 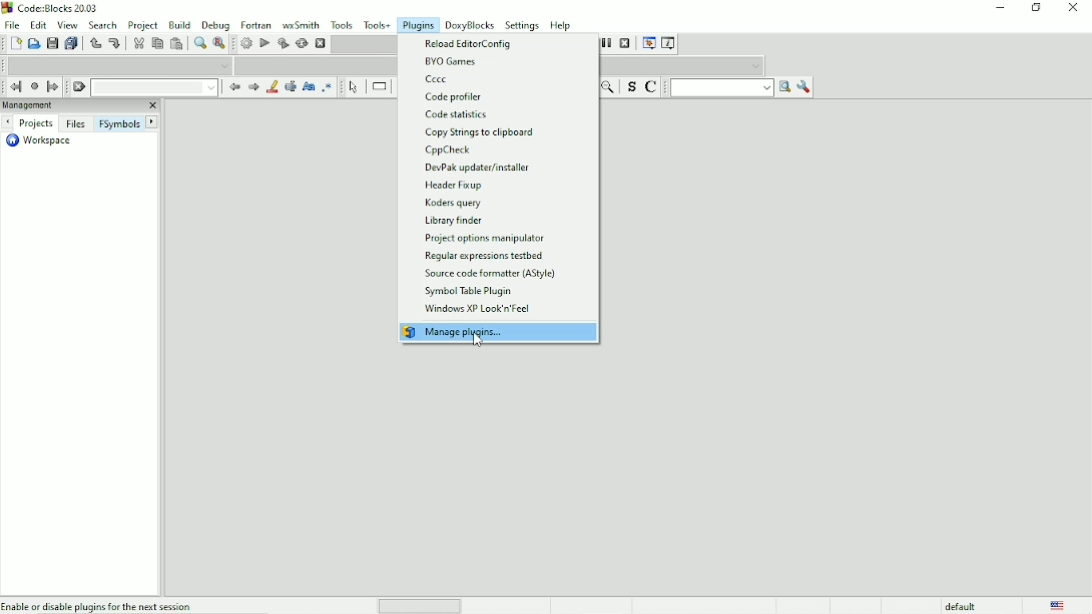 What do you see at coordinates (114, 43) in the screenshot?
I see `Redo` at bounding box center [114, 43].